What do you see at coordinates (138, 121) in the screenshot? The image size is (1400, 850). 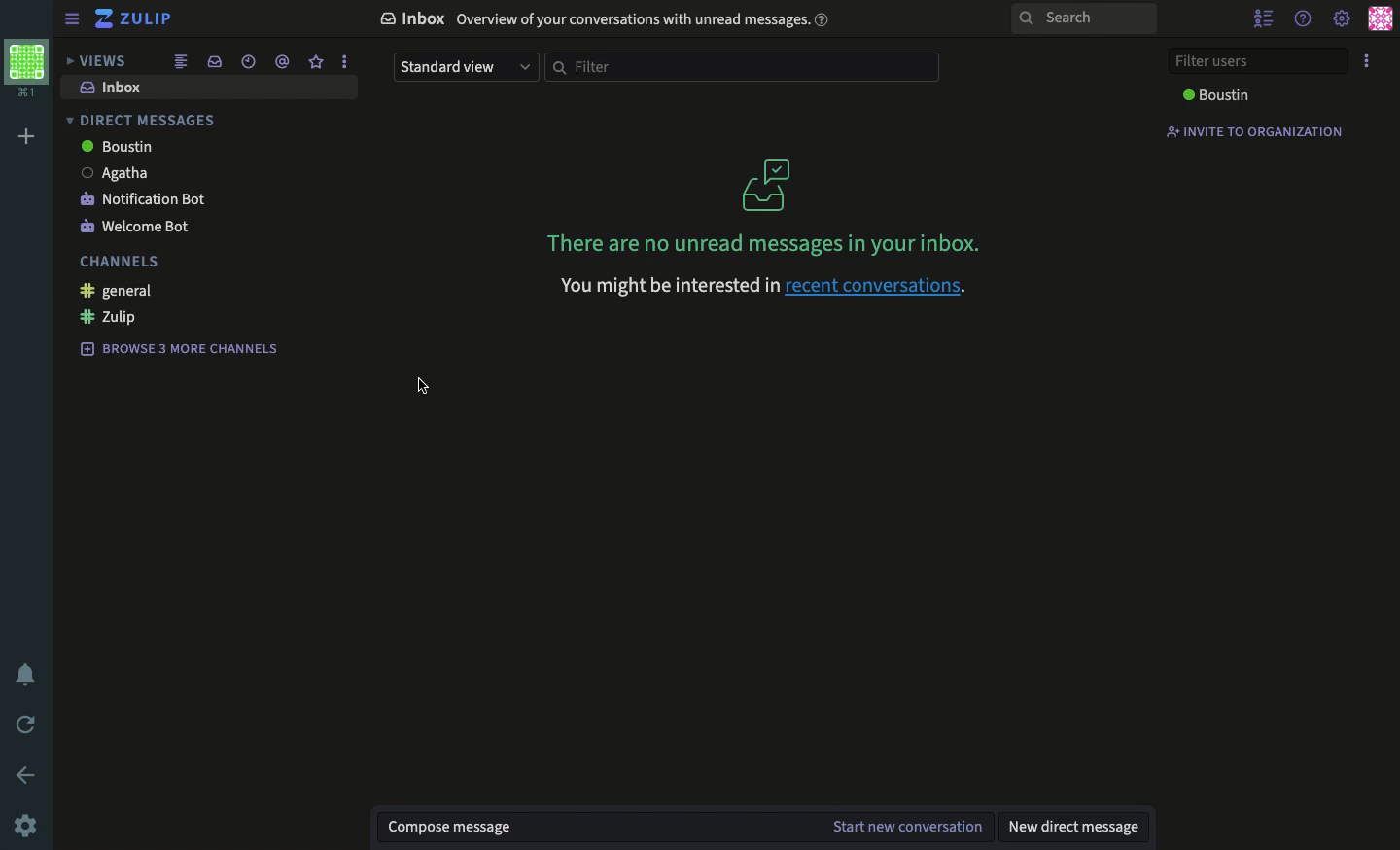 I see `direct messages` at bounding box center [138, 121].